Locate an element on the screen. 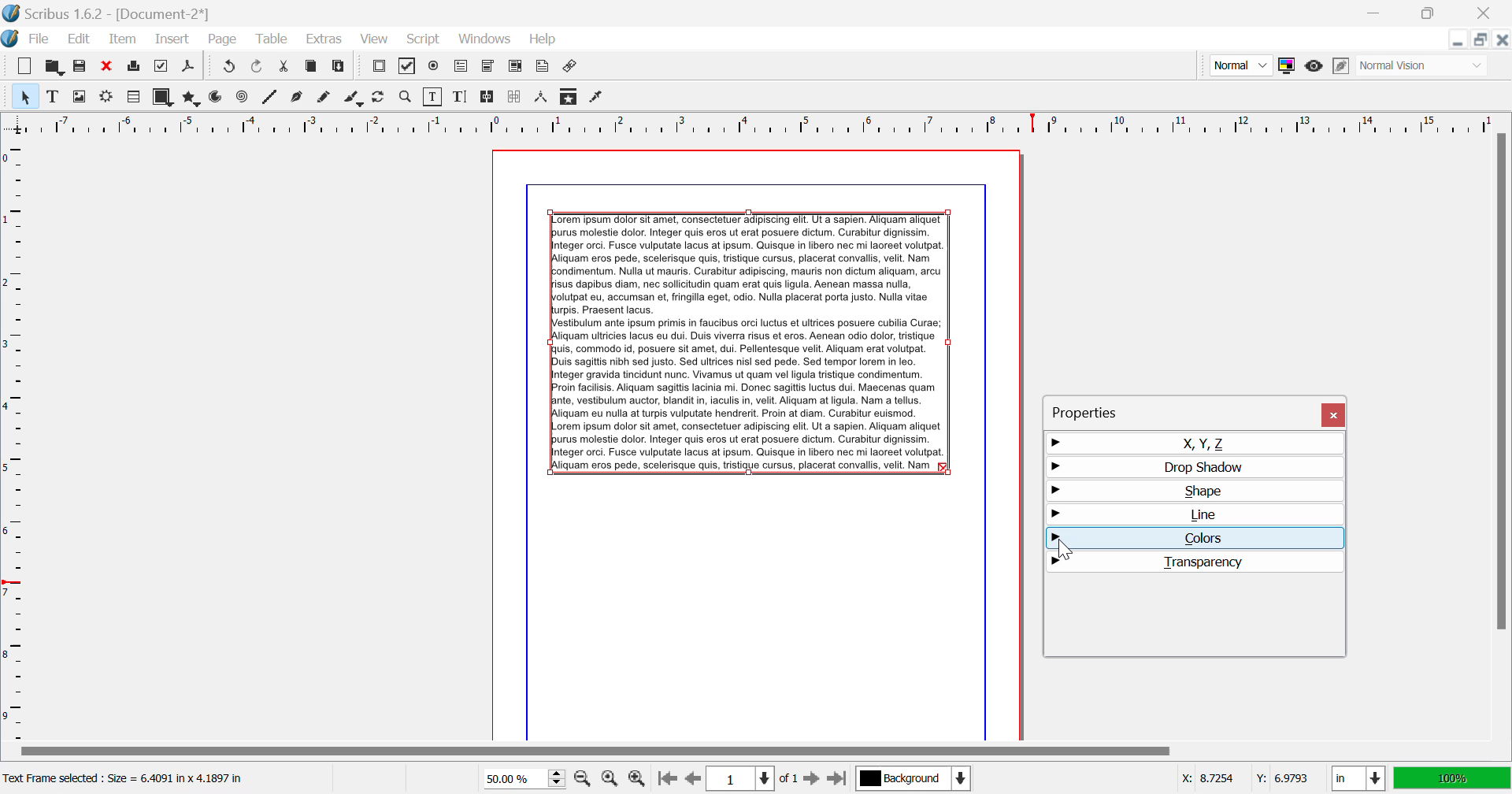  Script is located at coordinates (424, 38).